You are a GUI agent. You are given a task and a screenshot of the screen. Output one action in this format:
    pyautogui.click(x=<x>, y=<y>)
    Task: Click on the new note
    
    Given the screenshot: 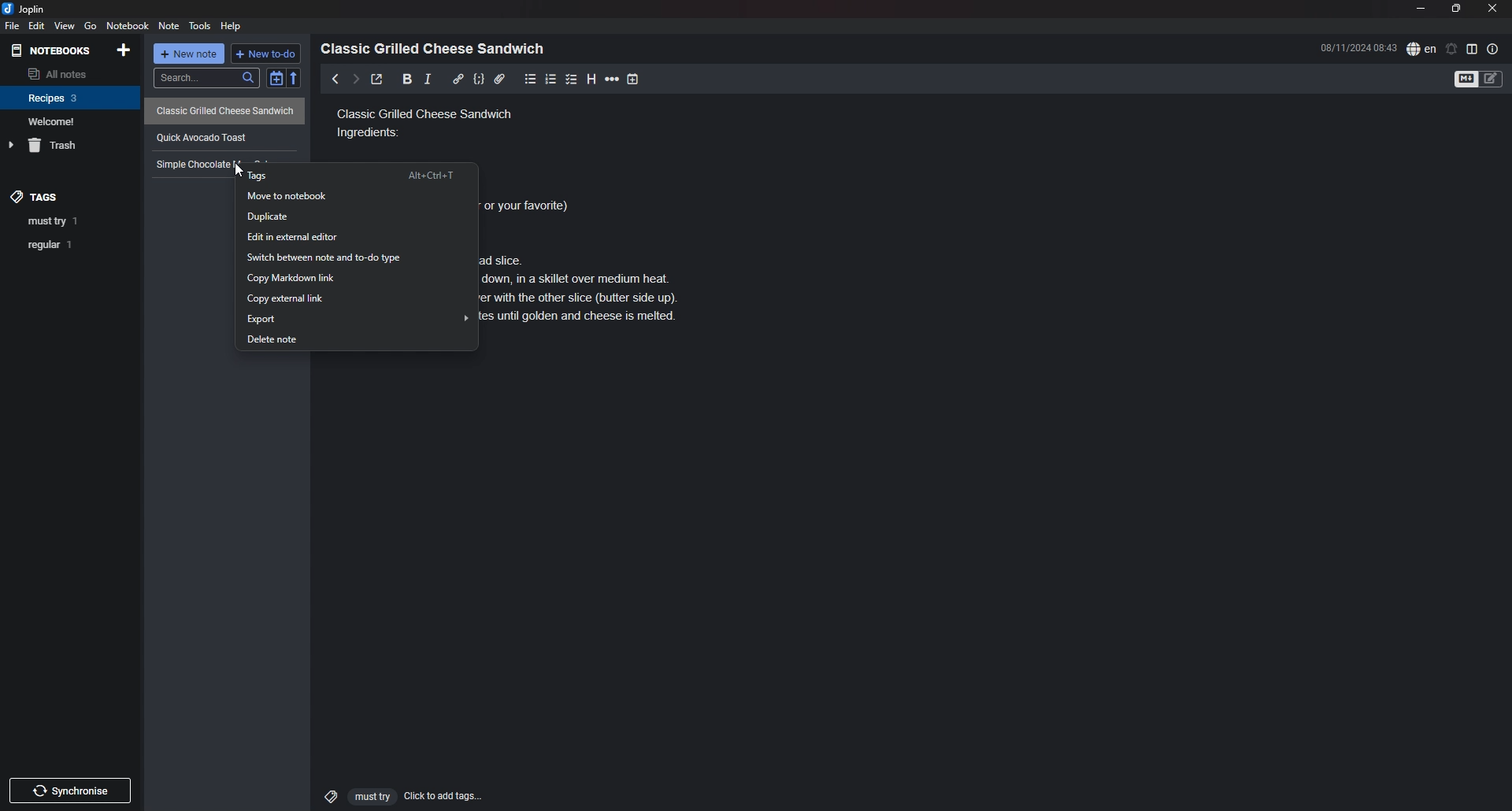 What is the action you would take?
    pyautogui.click(x=191, y=55)
    